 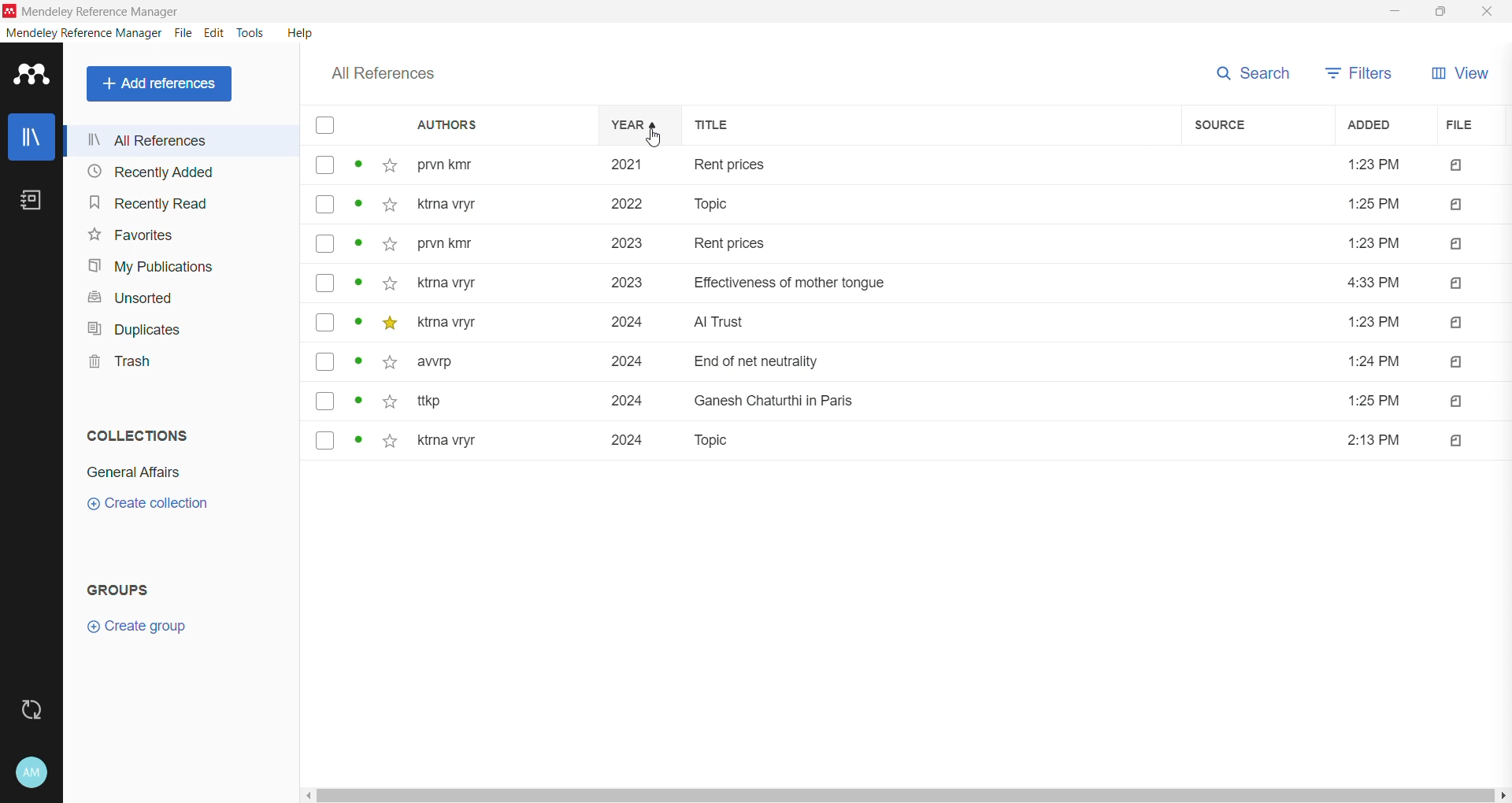 I want to click on Unsorted, so click(x=133, y=299).